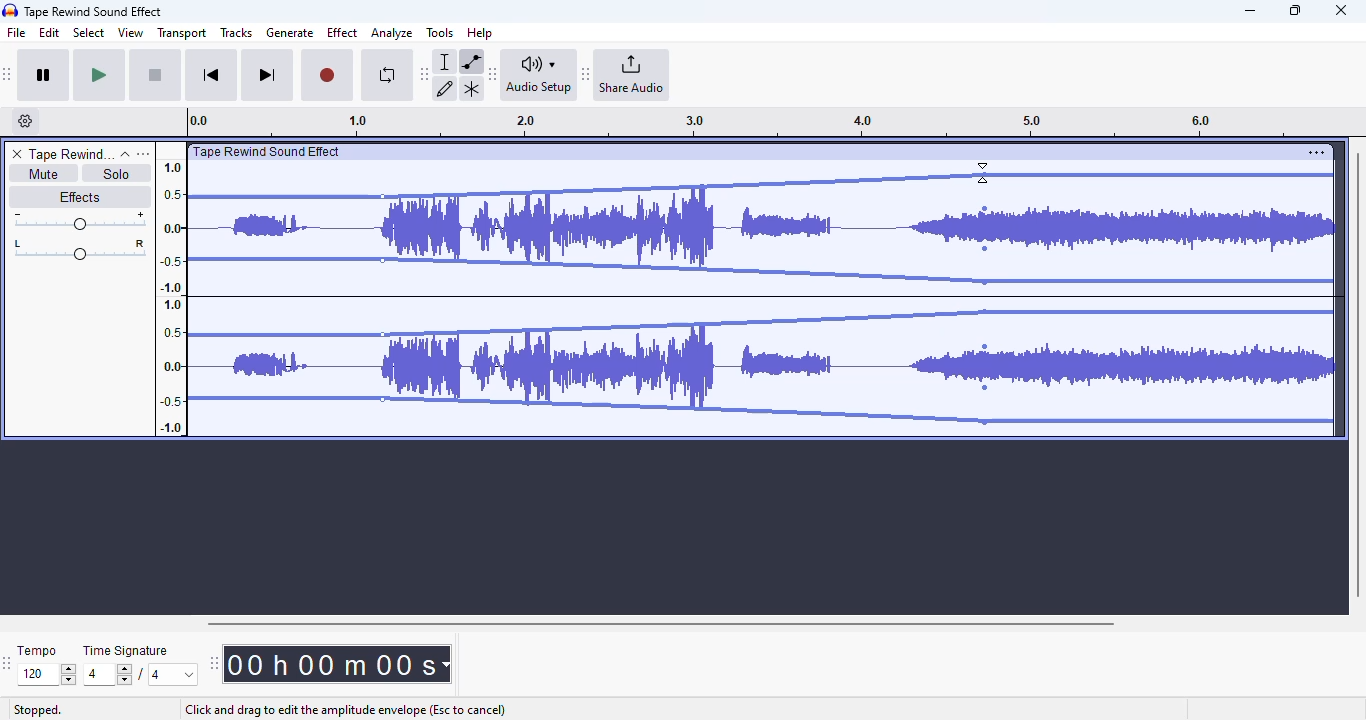  Describe the element at coordinates (985, 422) in the screenshot. I see `Control point` at that location.